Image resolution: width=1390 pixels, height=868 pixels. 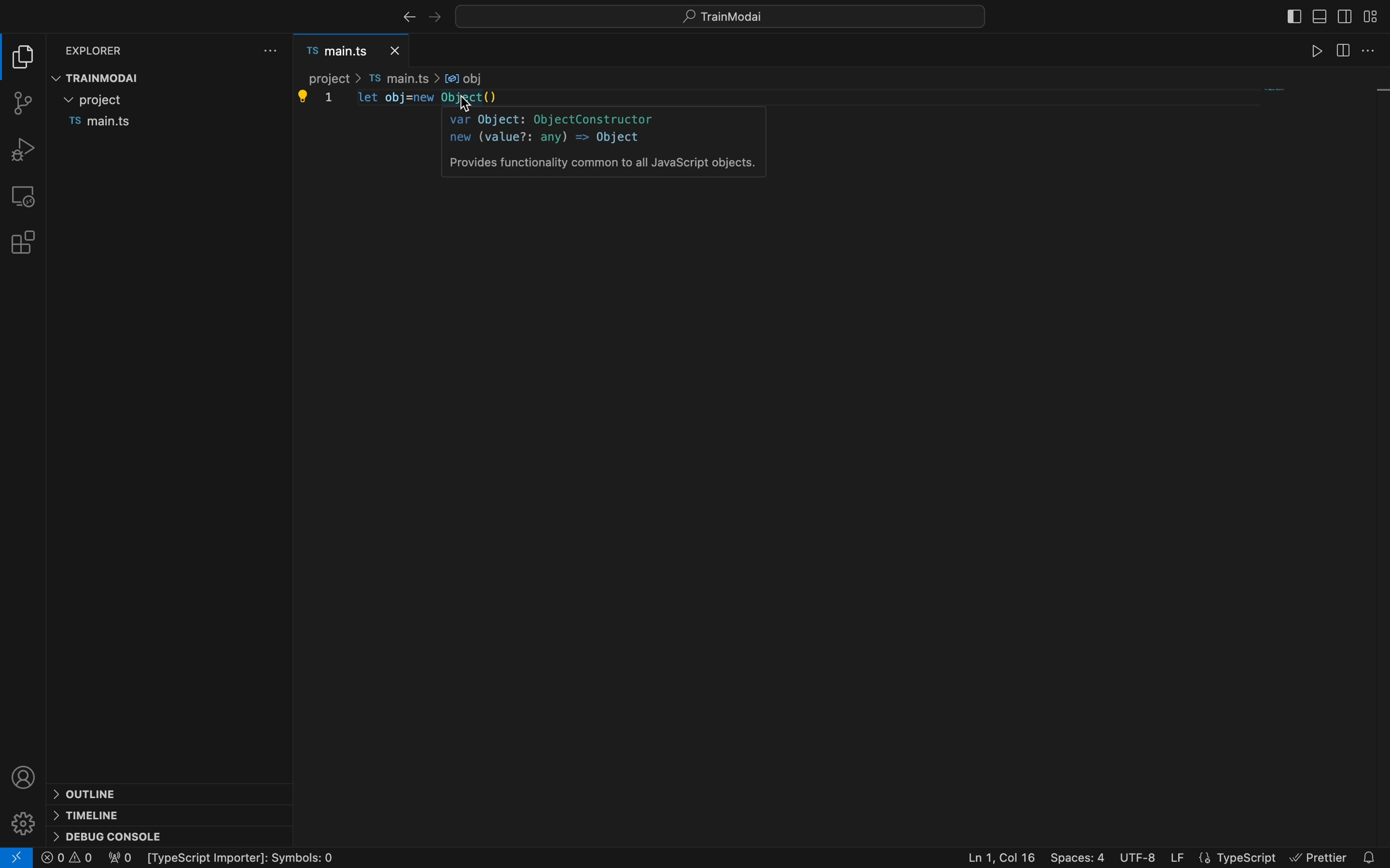 What do you see at coordinates (1373, 50) in the screenshot?
I see `code runner` at bounding box center [1373, 50].